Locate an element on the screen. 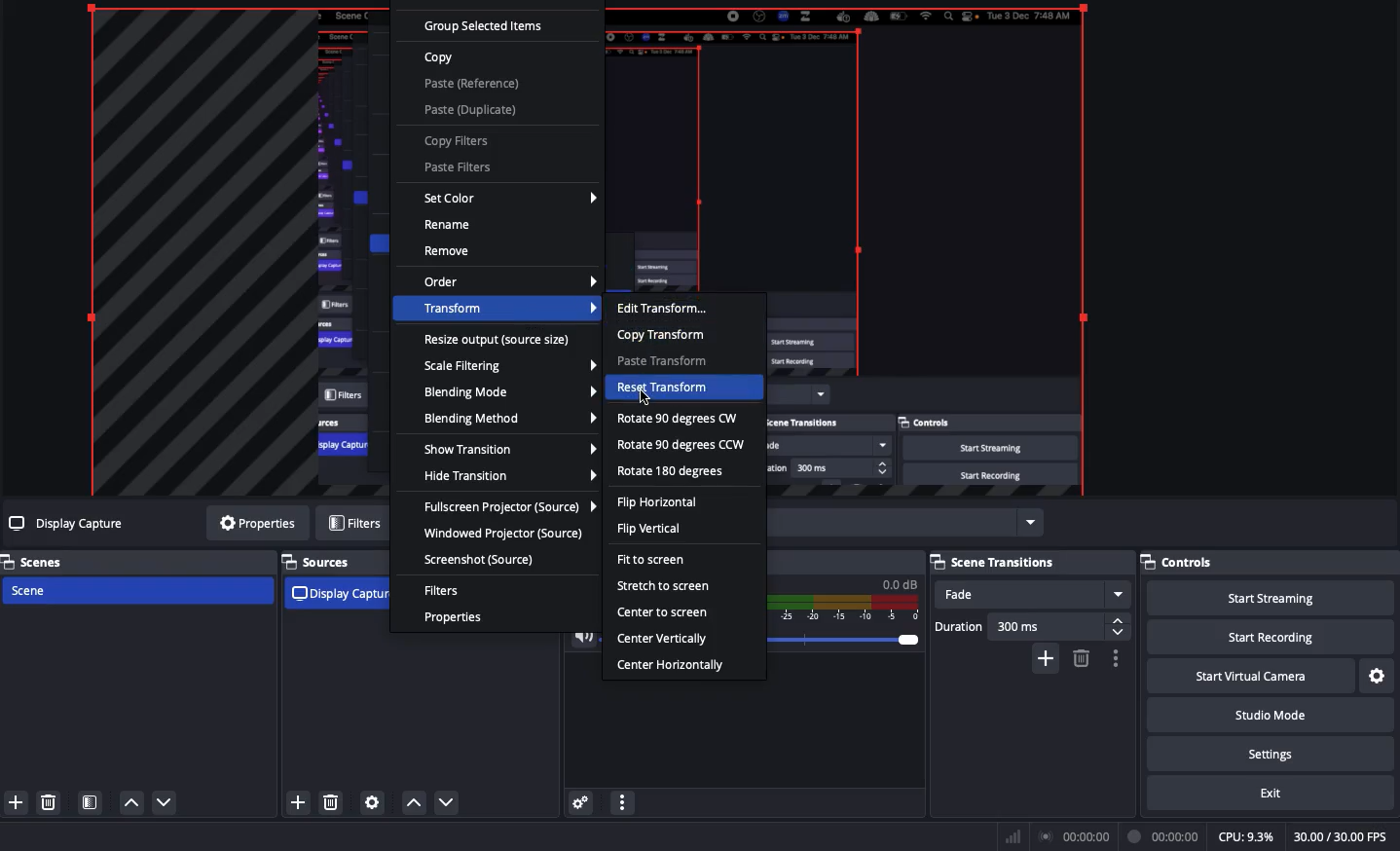 The width and height of the screenshot is (1400, 851). Controls is located at coordinates (1270, 564).